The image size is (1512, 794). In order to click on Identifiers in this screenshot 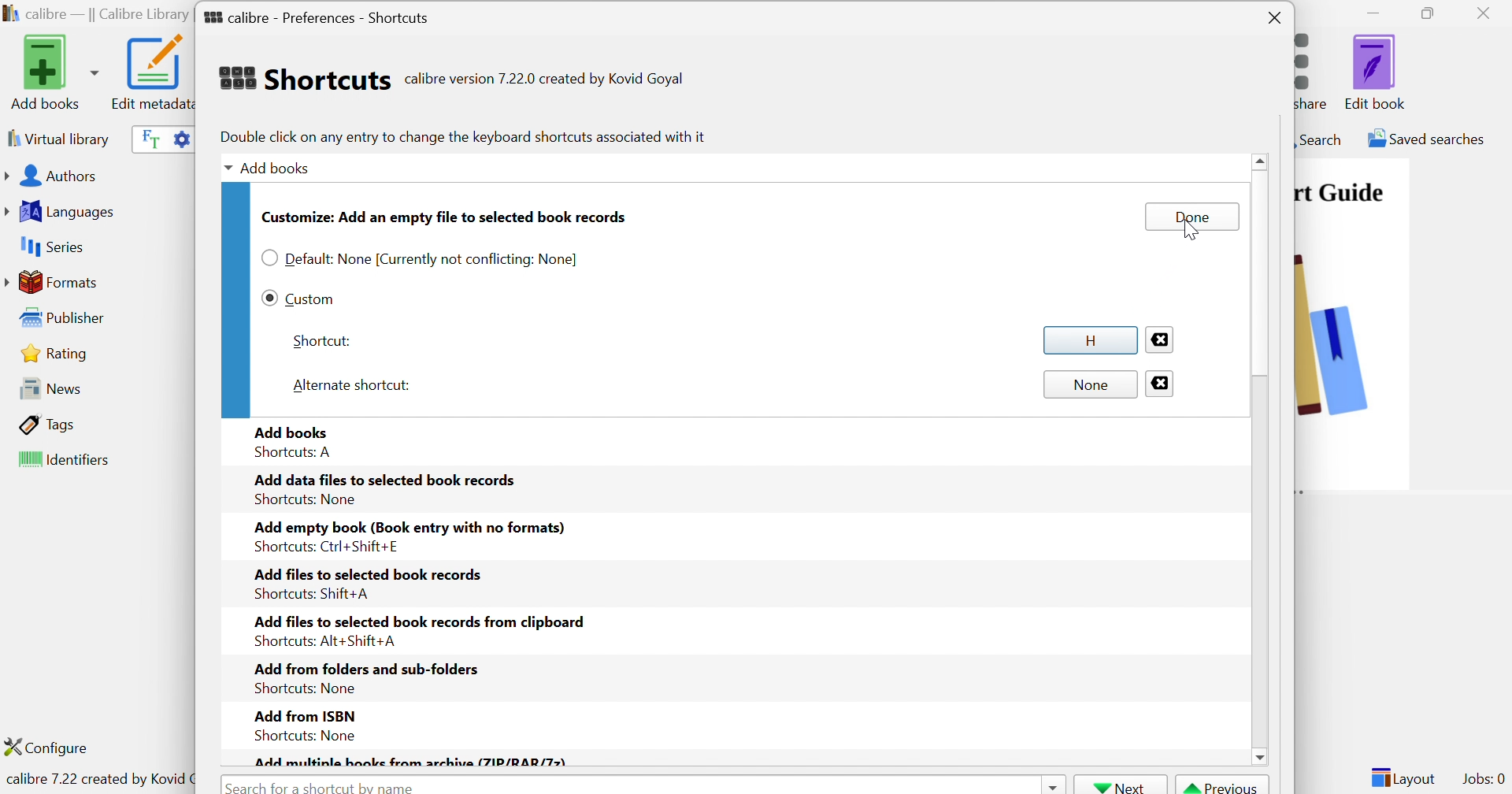, I will do `click(67, 461)`.